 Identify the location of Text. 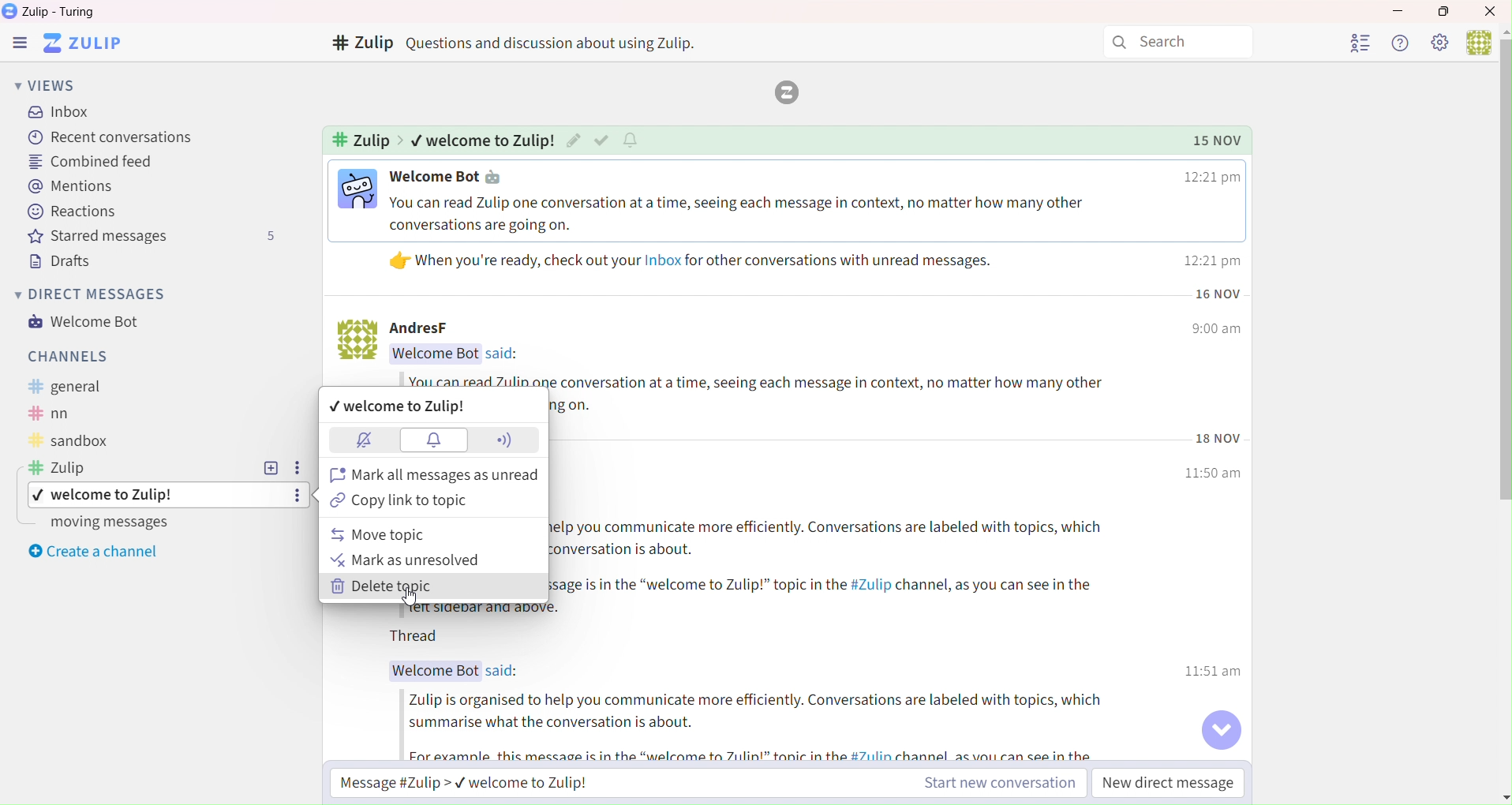
(767, 713).